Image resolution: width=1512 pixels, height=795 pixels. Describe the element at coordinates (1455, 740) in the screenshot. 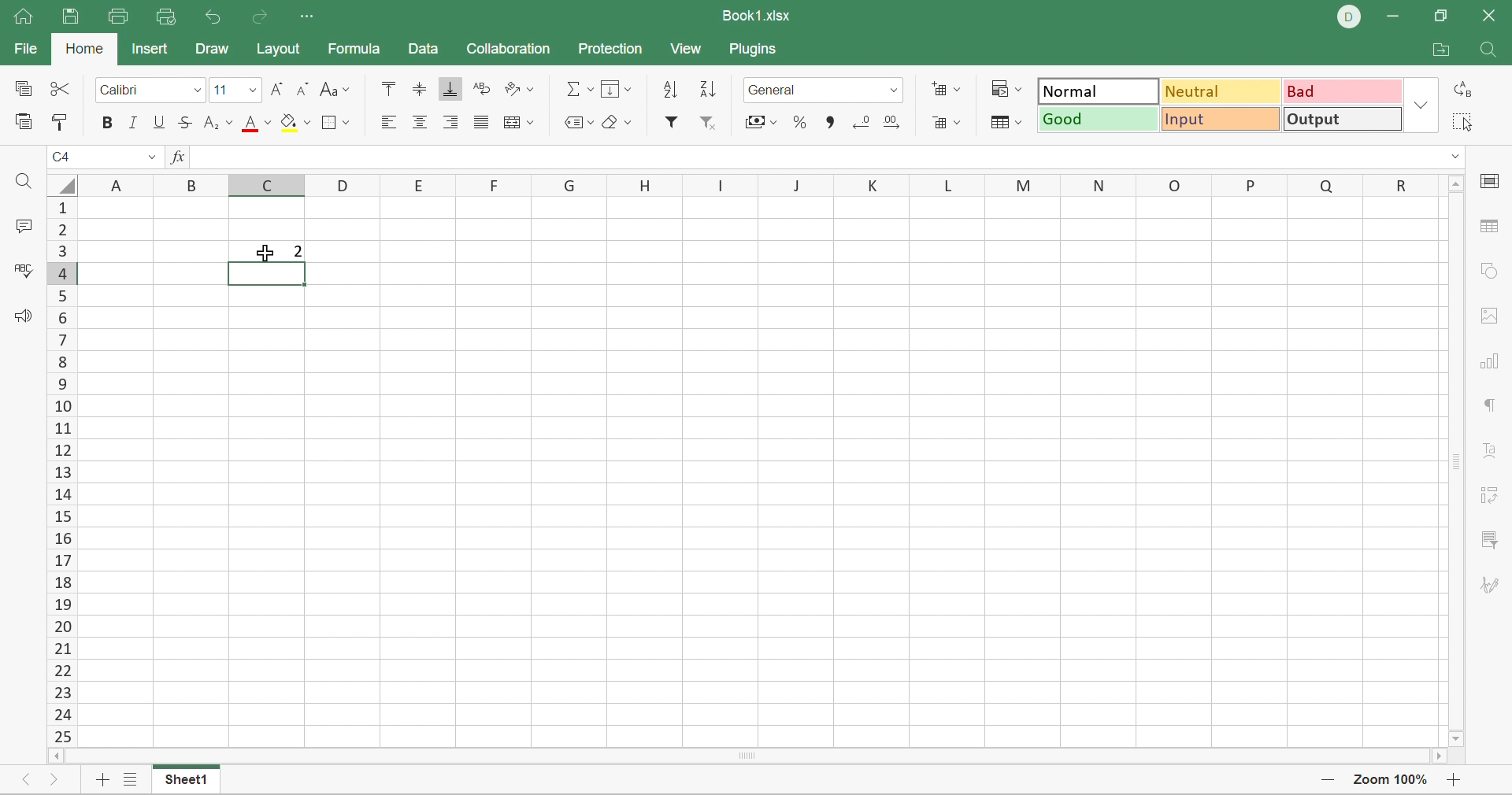

I see `Scroll Down` at that location.